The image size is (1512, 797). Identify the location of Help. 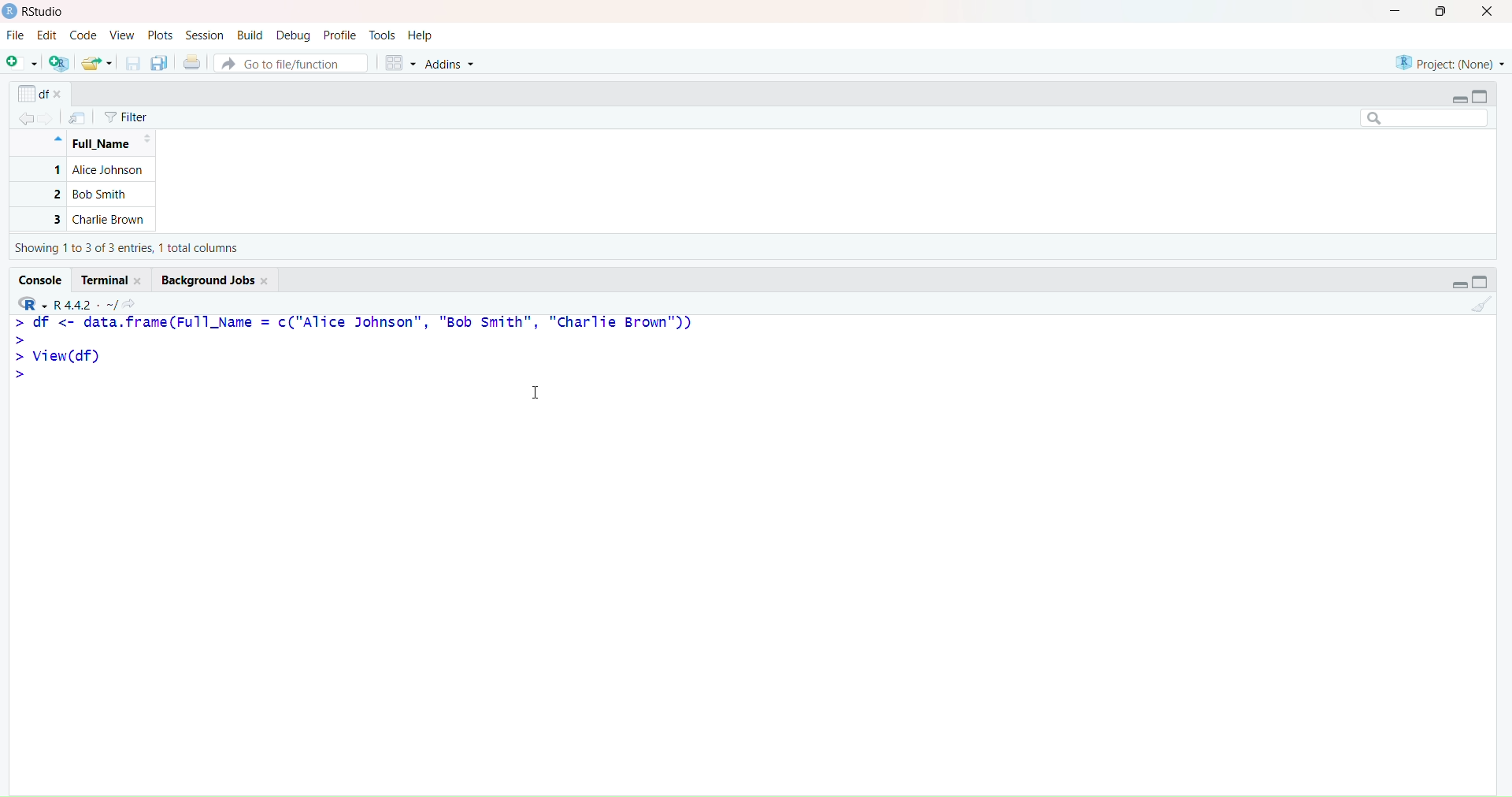
(421, 34).